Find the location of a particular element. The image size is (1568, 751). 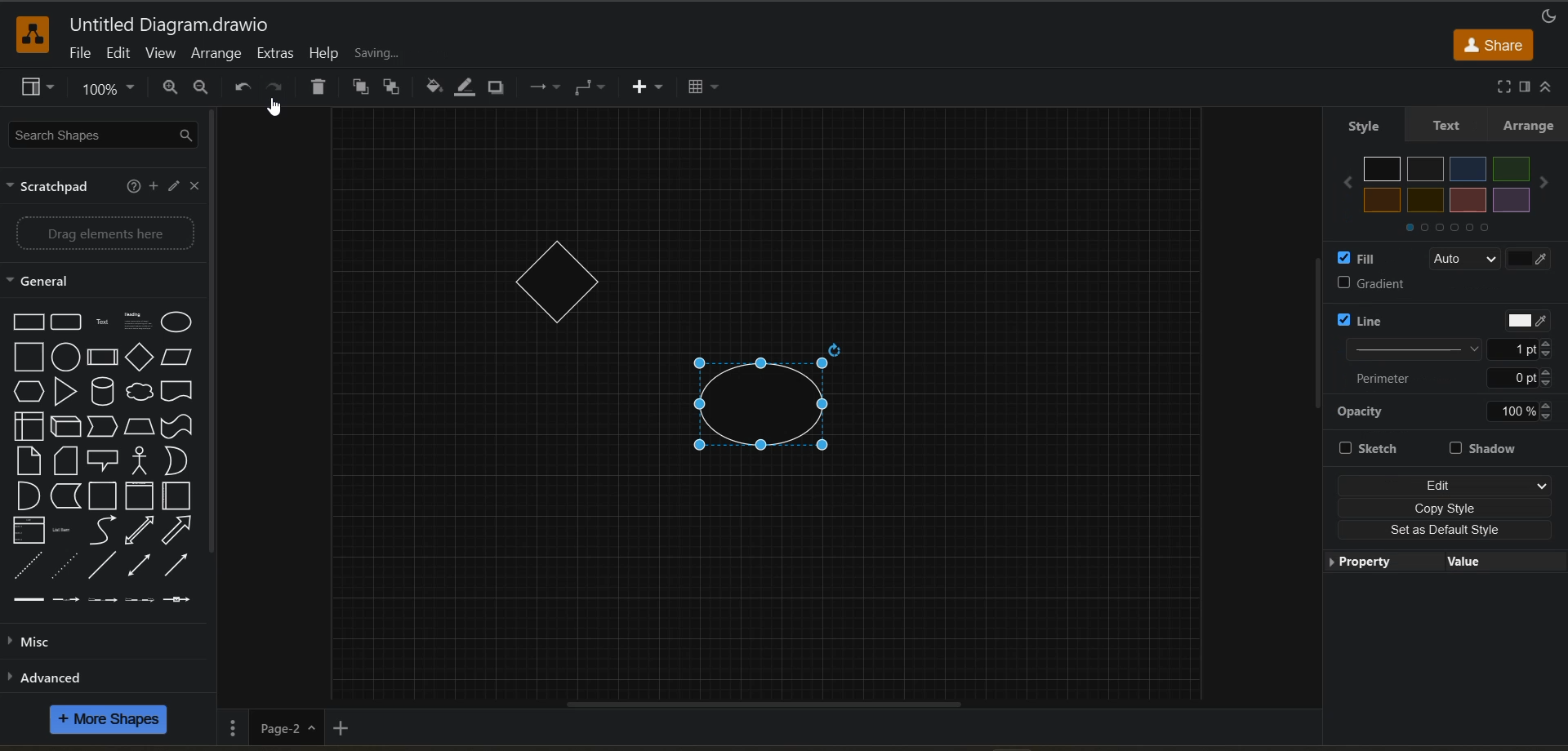

step is located at coordinates (102, 428).